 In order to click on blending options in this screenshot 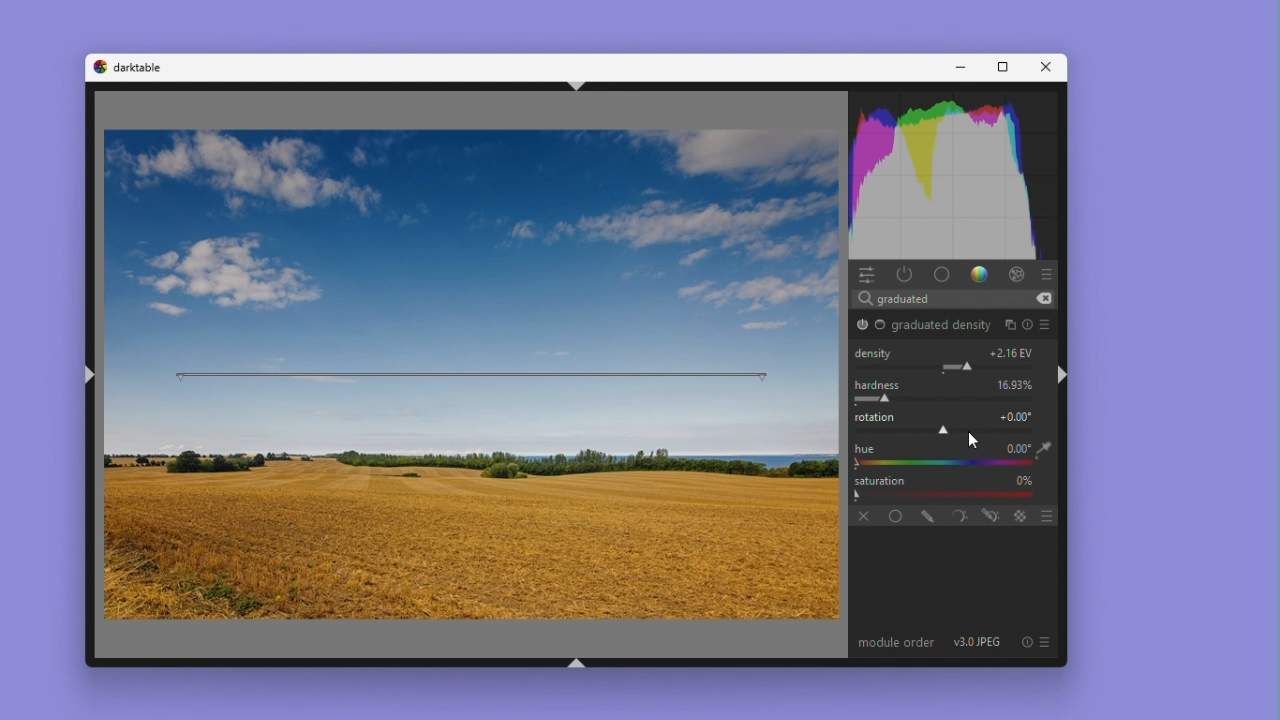, I will do `click(1021, 515)`.